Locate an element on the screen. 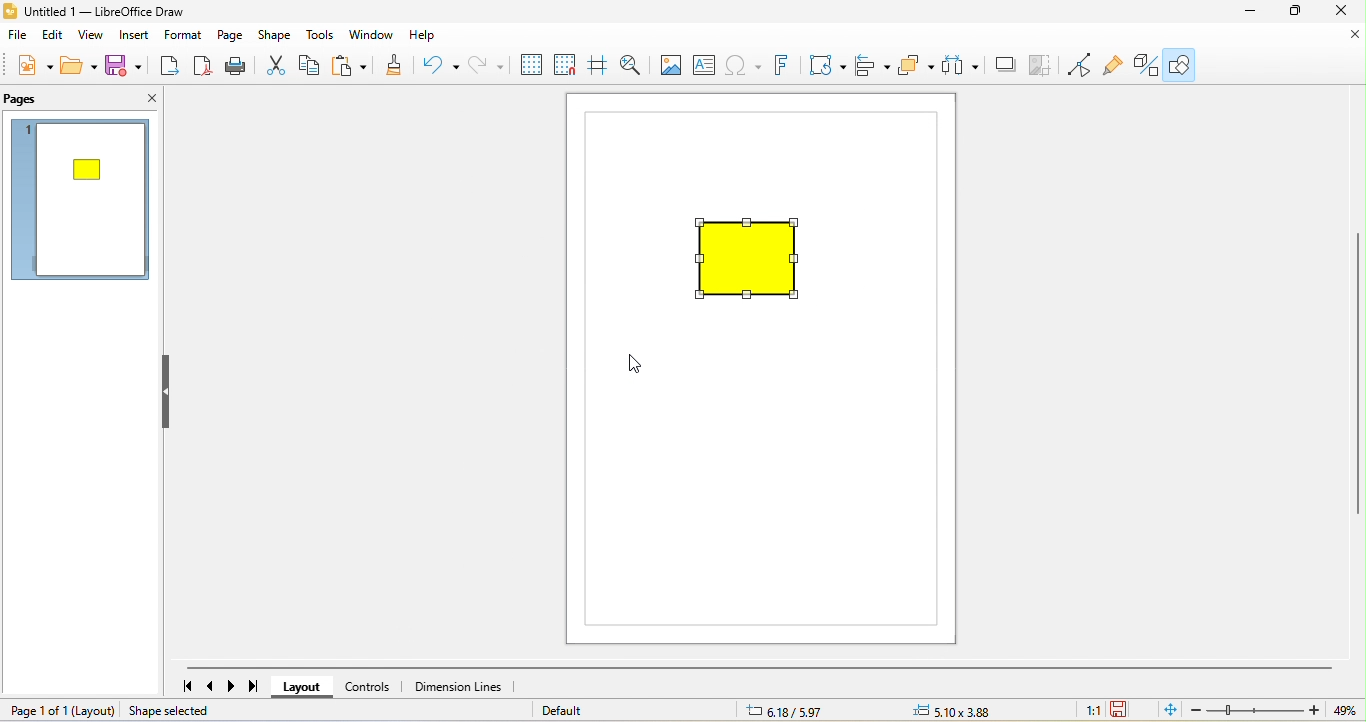  align object is located at coordinates (874, 67).